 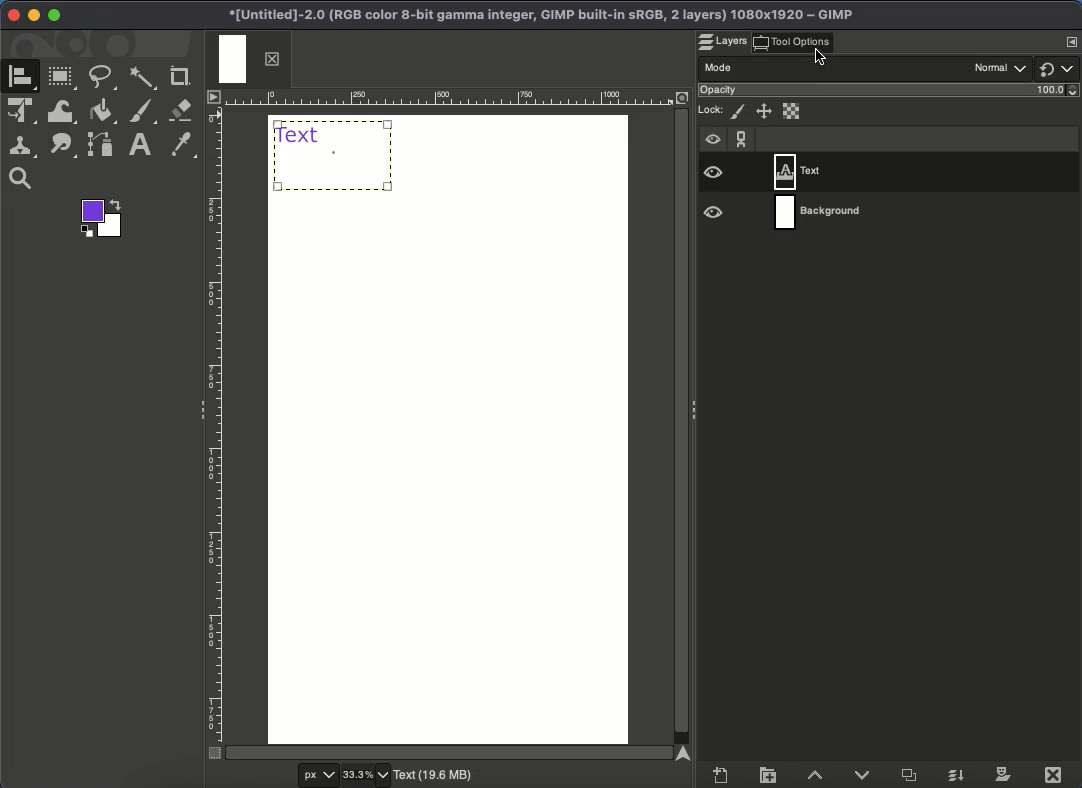 I want to click on Foreground color, so click(x=103, y=218).